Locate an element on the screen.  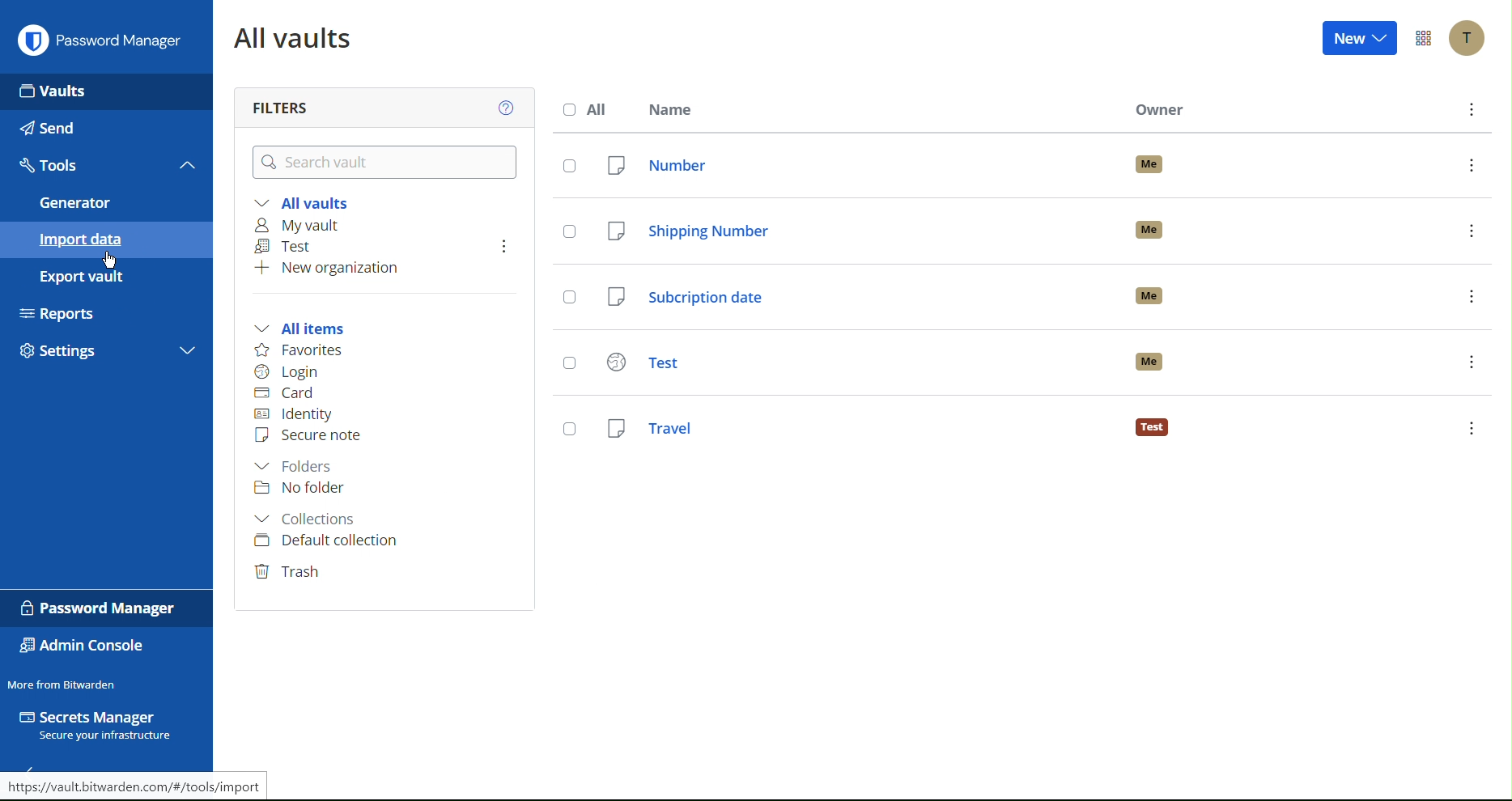
select entry is located at coordinates (571, 298).